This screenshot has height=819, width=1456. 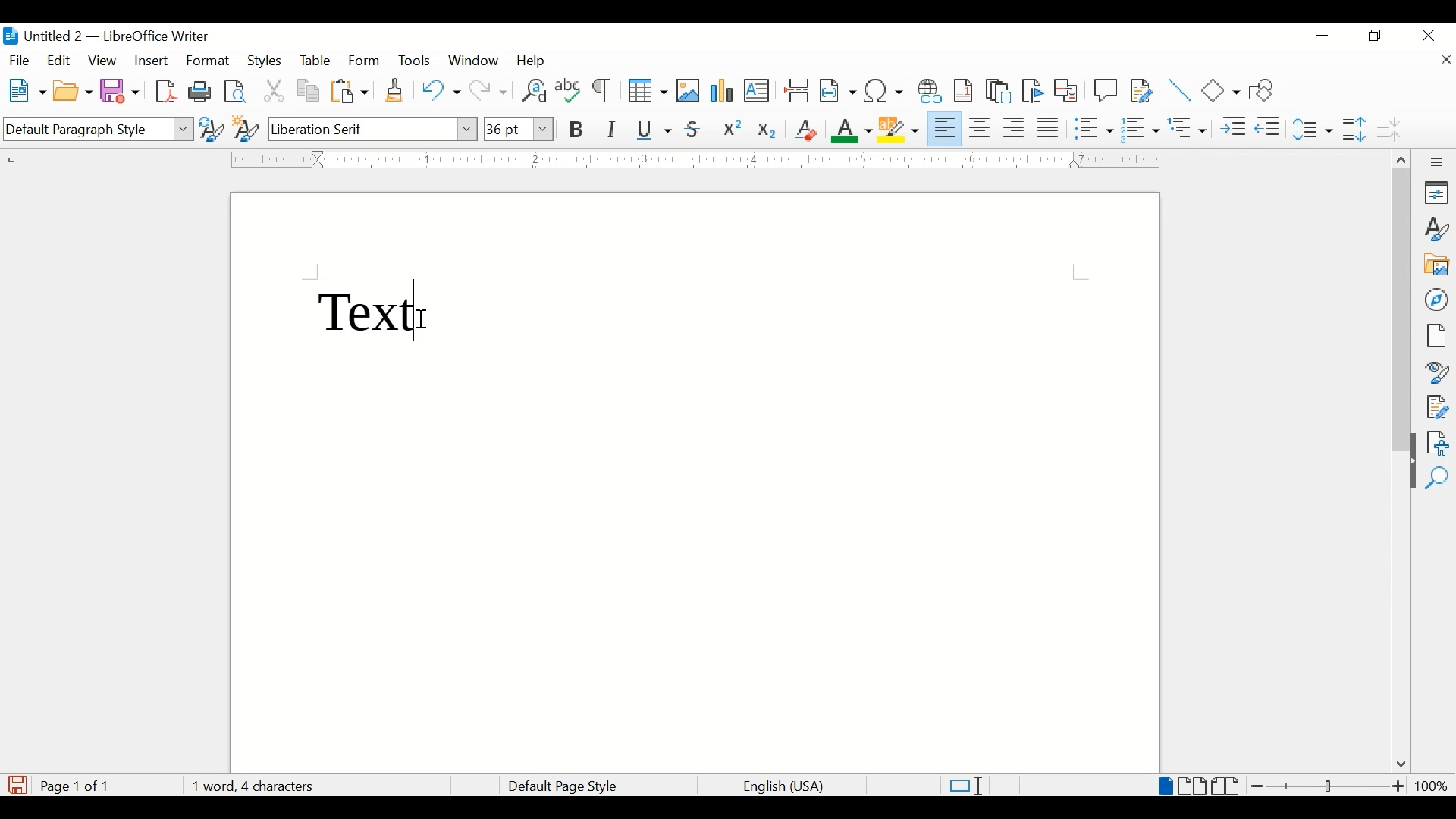 I want to click on set line spacing, so click(x=1314, y=129).